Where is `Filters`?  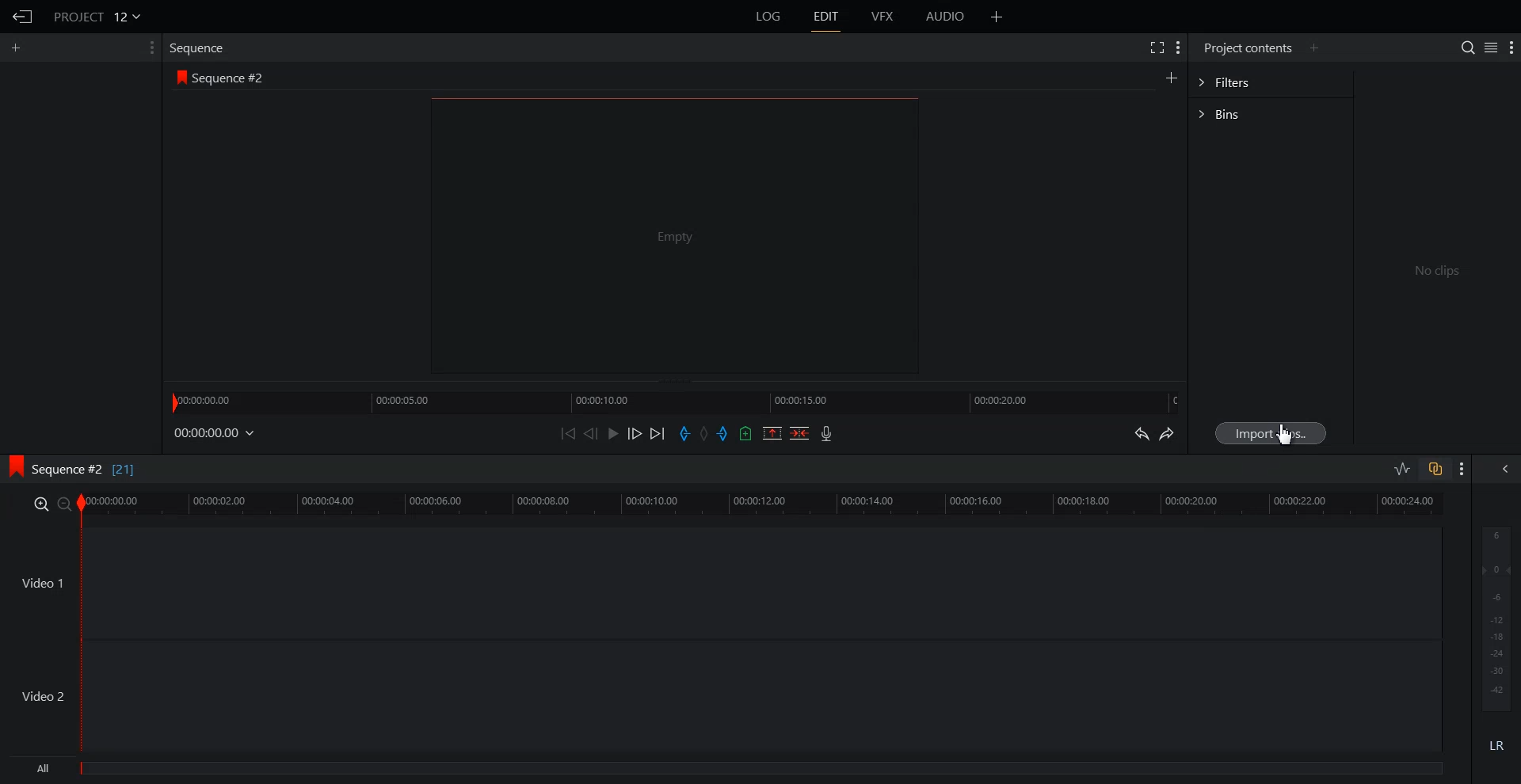 Filters is located at coordinates (1271, 83).